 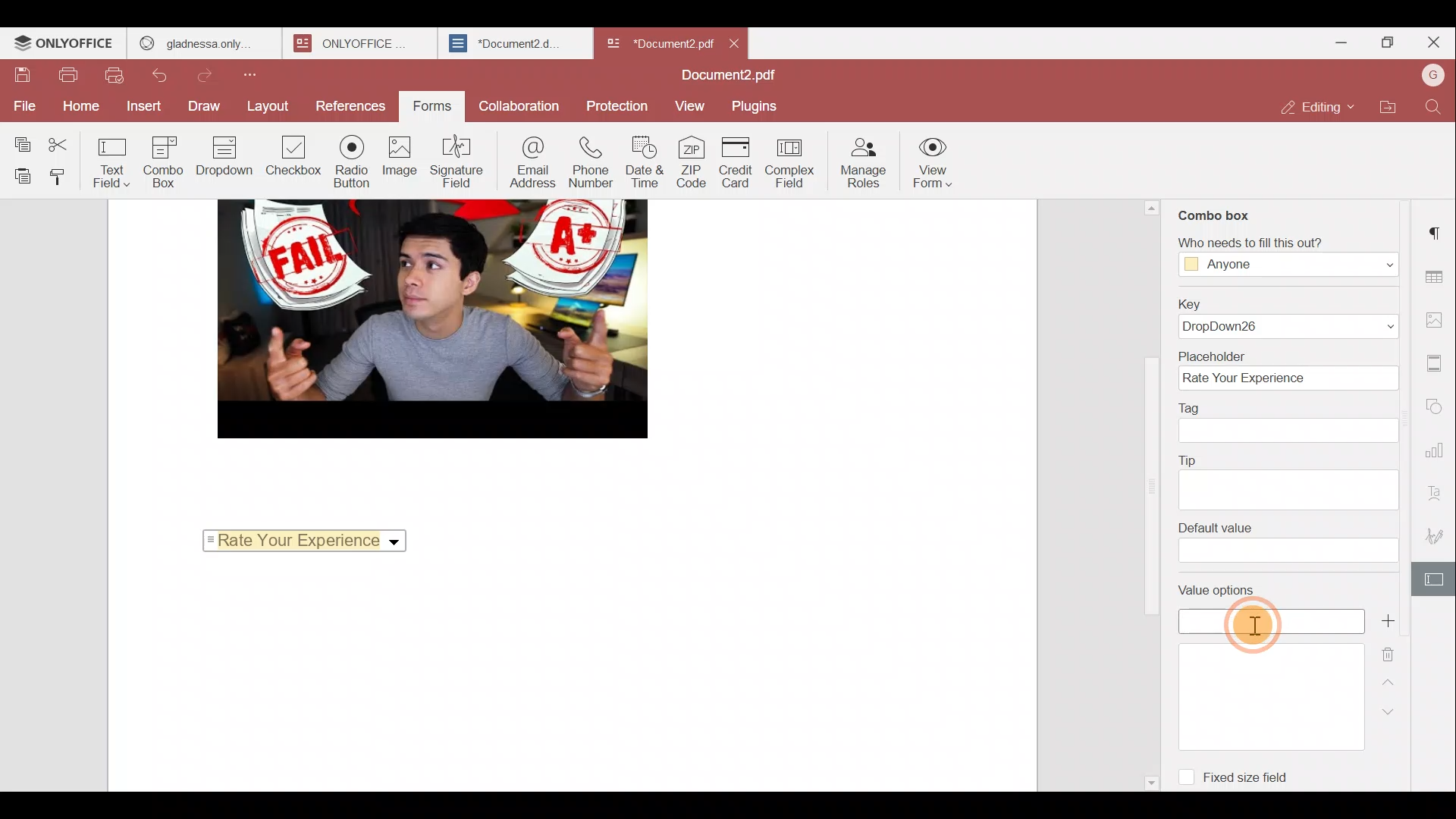 I want to click on Placeholder, so click(x=1286, y=369).